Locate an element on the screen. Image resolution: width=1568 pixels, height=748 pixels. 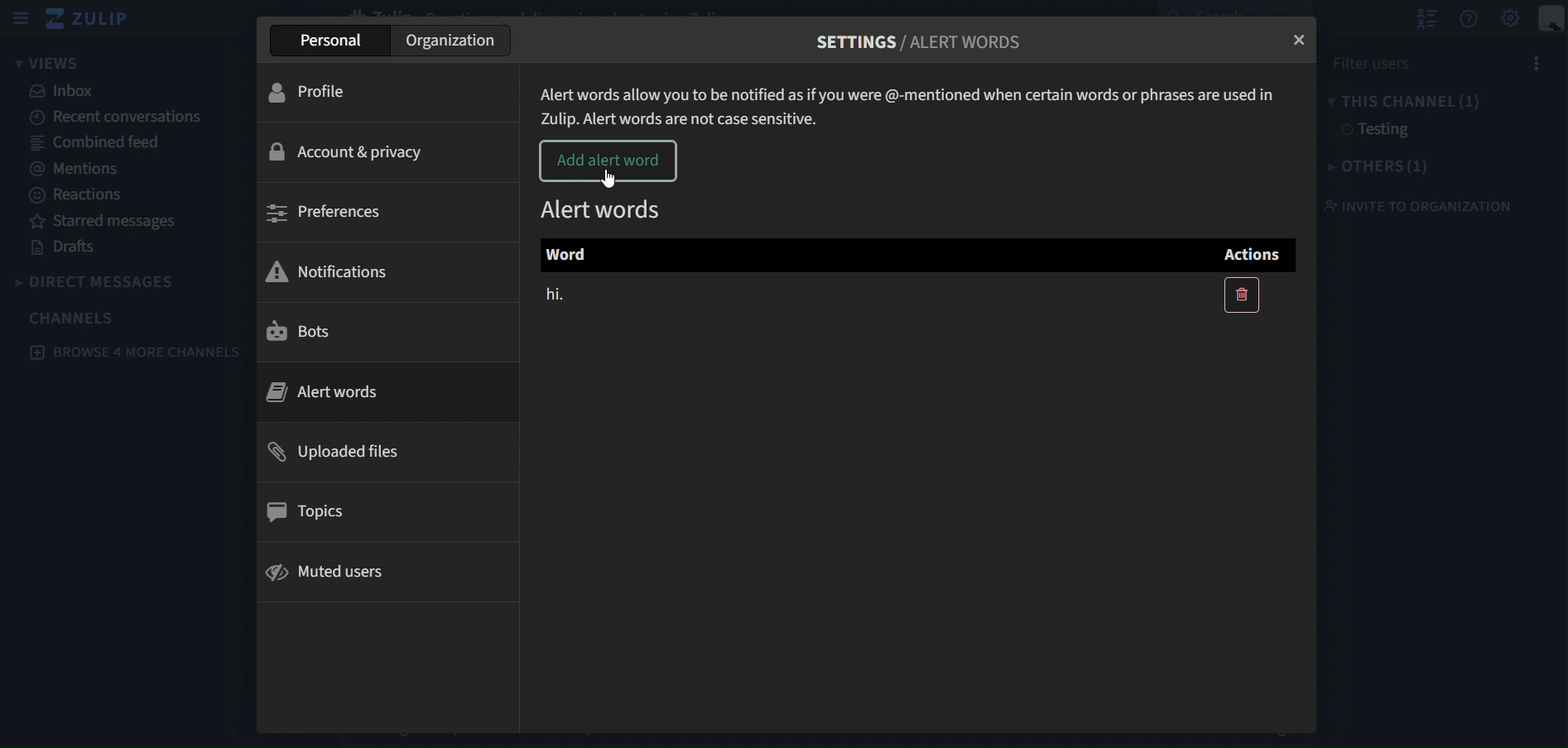
close is located at coordinates (1305, 41).